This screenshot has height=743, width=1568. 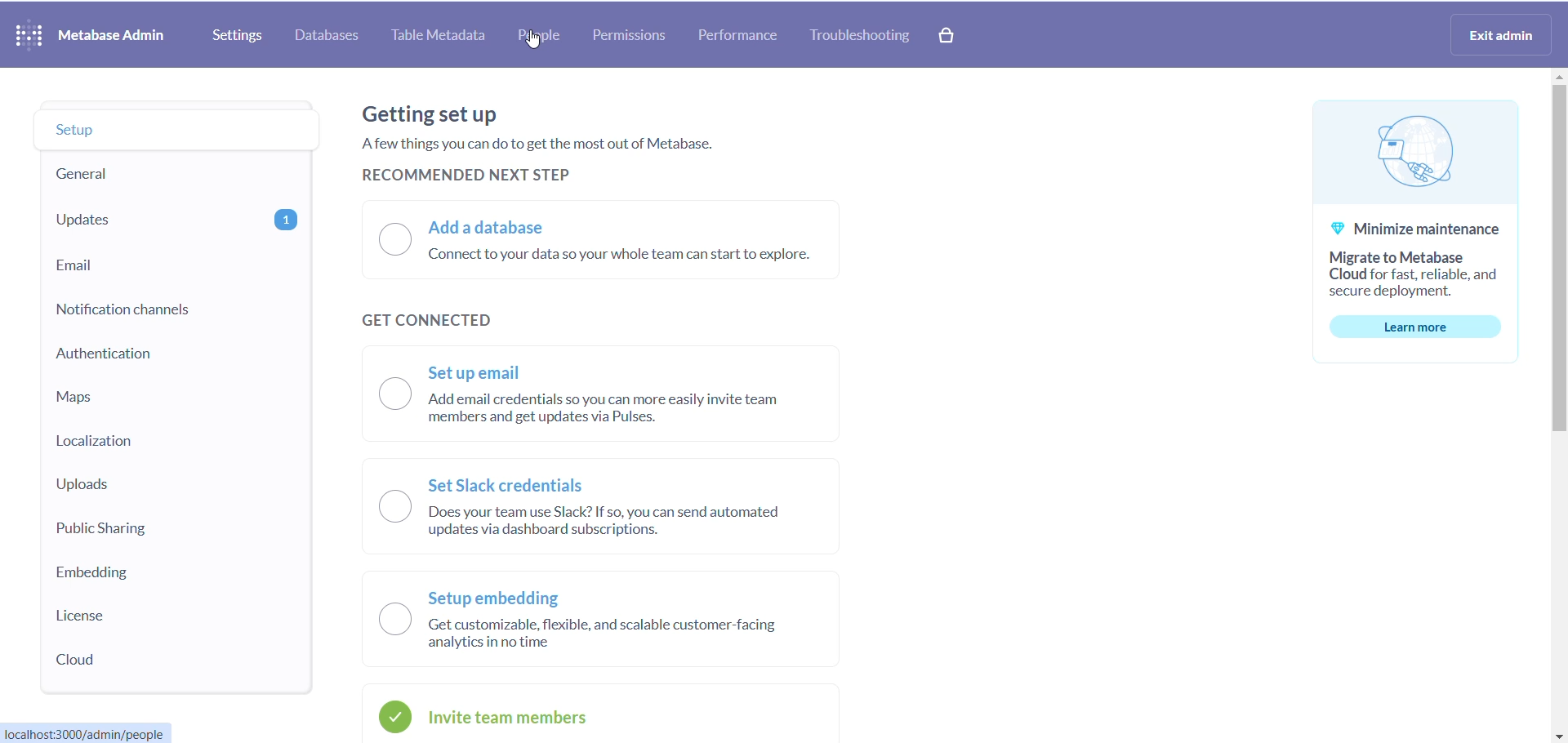 I want to click on email, so click(x=141, y=270).